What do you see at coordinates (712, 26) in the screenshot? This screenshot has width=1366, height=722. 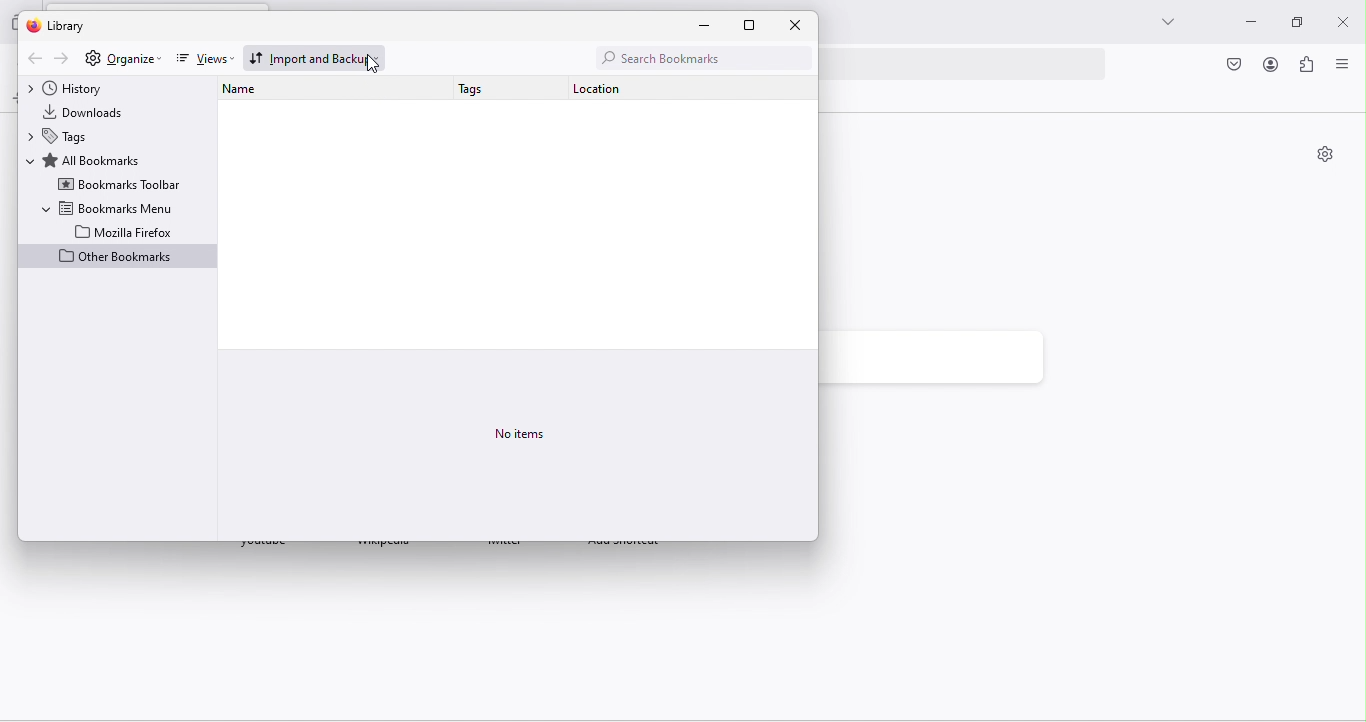 I see `minimize` at bounding box center [712, 26].